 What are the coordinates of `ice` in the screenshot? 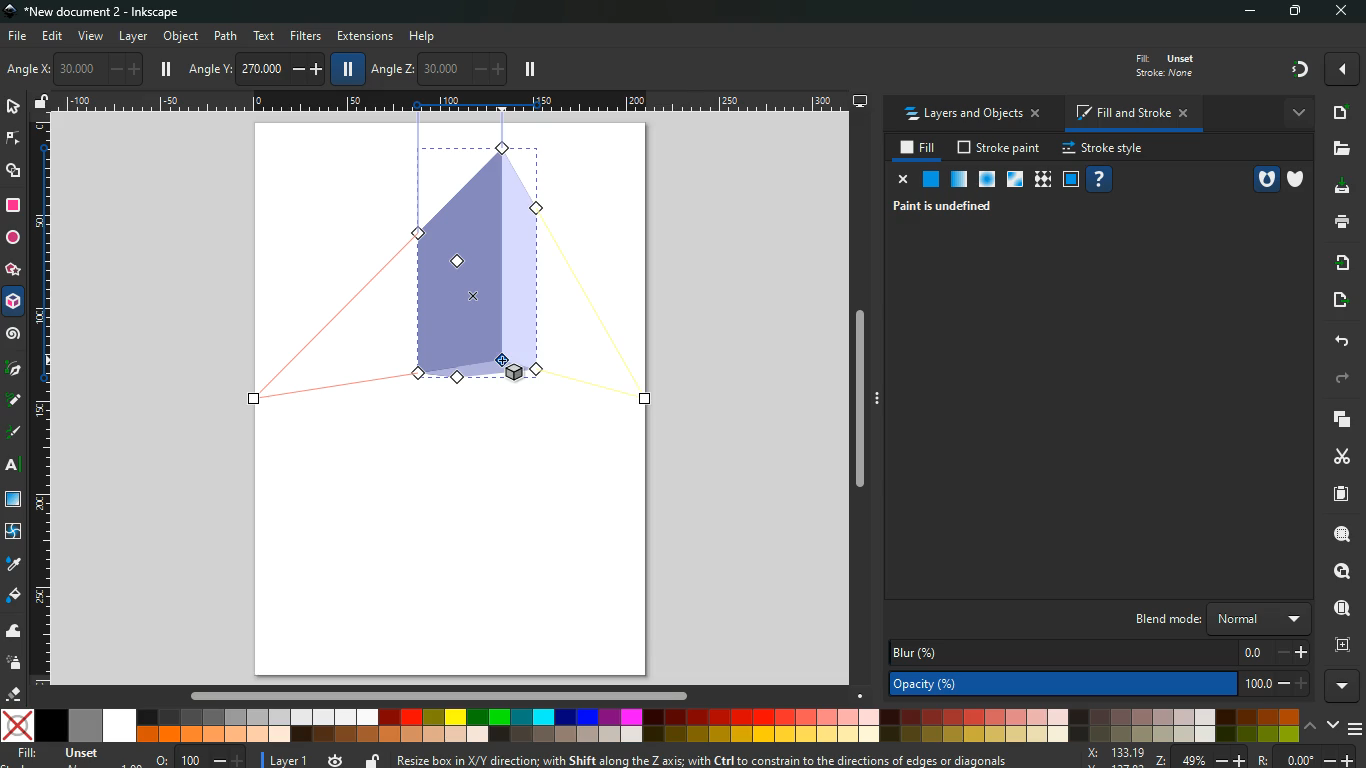 It's located at (985, 181).